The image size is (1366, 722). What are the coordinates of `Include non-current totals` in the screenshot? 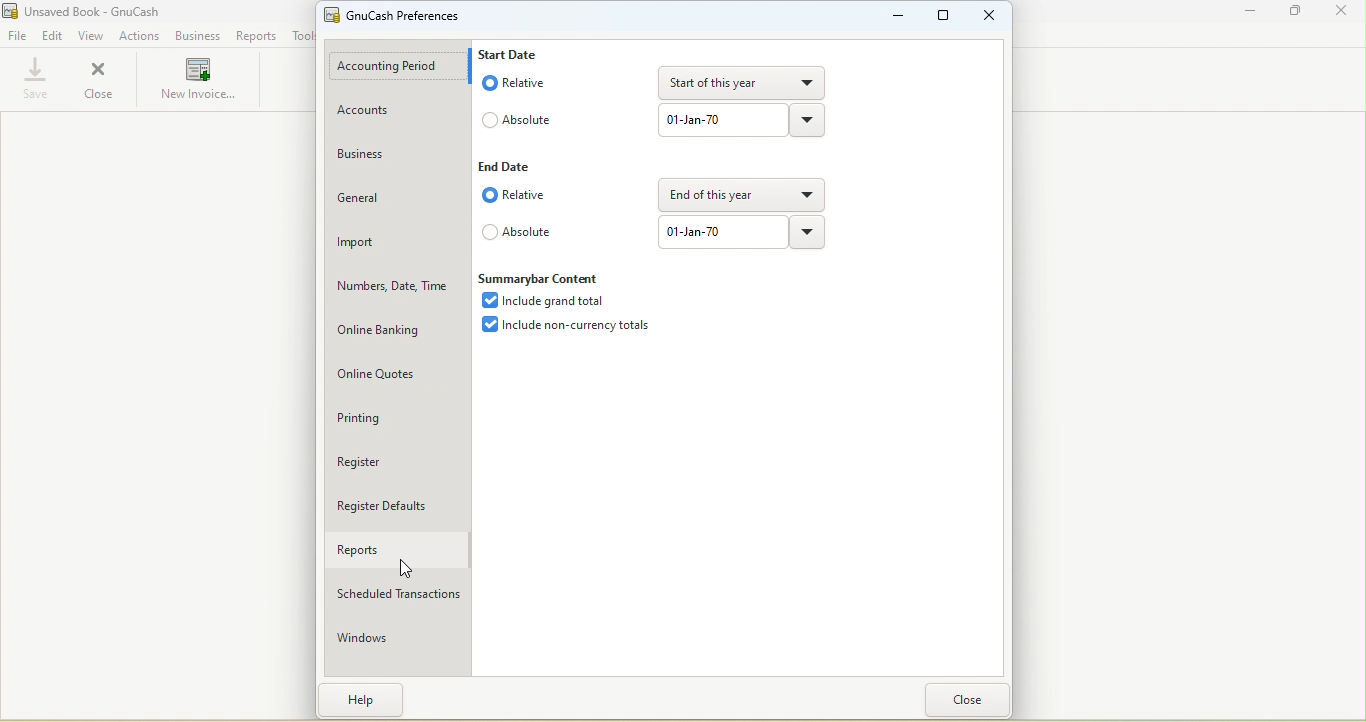 It's located at (569, 326).